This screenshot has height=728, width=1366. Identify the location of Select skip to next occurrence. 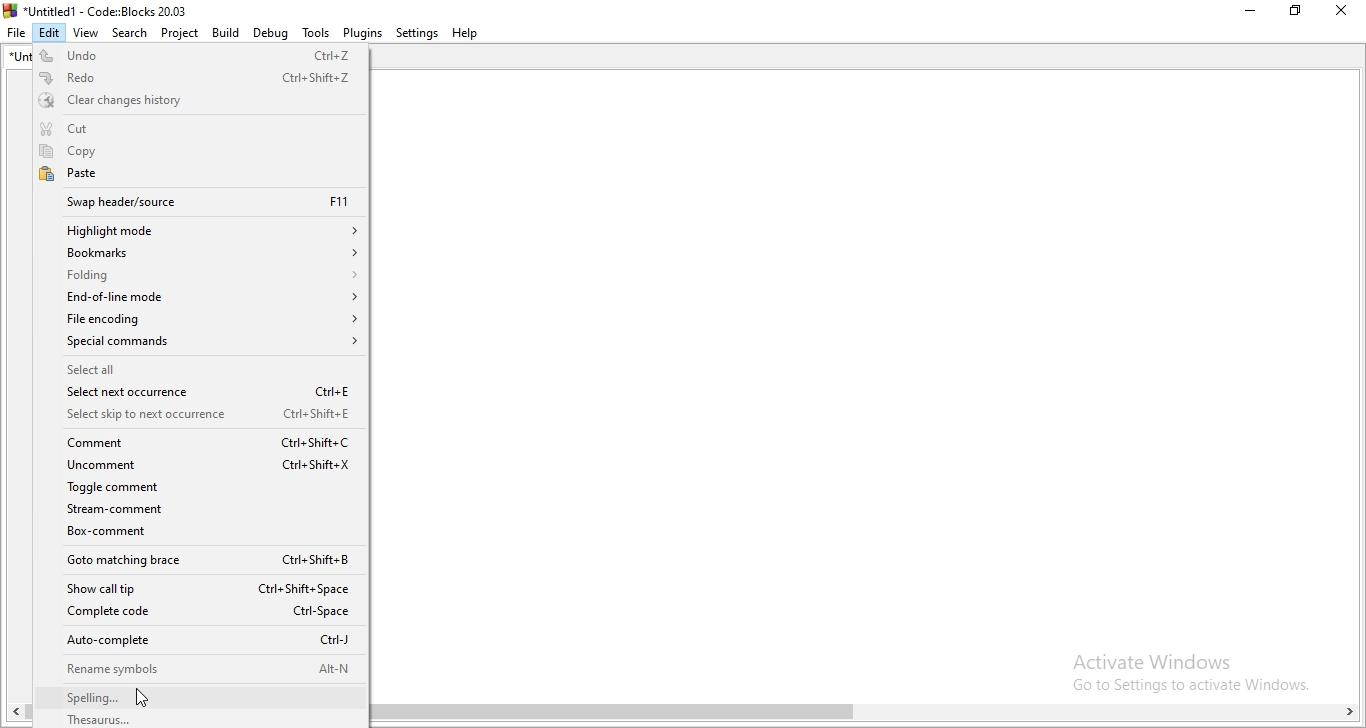
(200, 415).